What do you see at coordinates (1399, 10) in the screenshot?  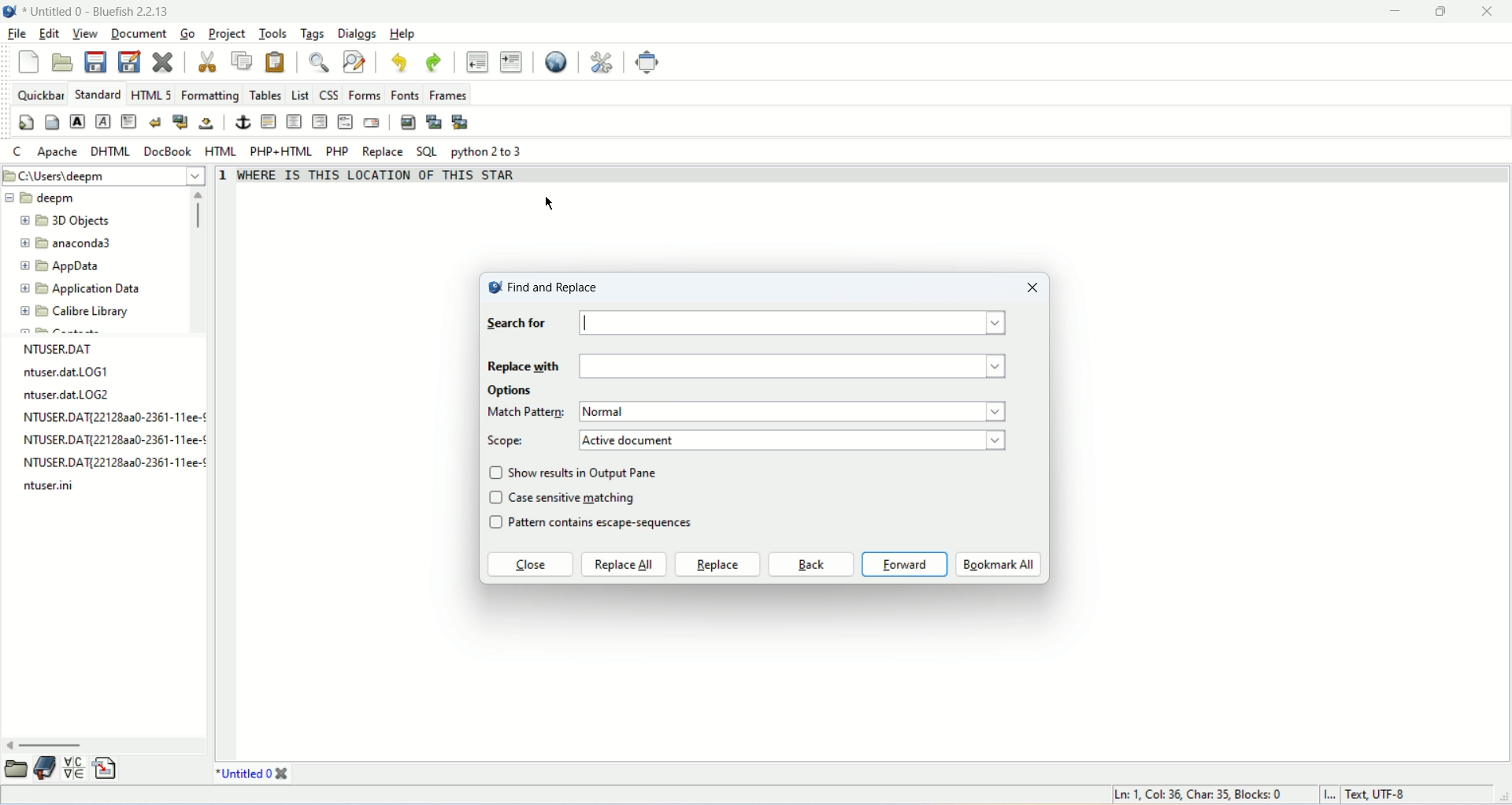 I see `minimize` at bounding box center [1399, 10].